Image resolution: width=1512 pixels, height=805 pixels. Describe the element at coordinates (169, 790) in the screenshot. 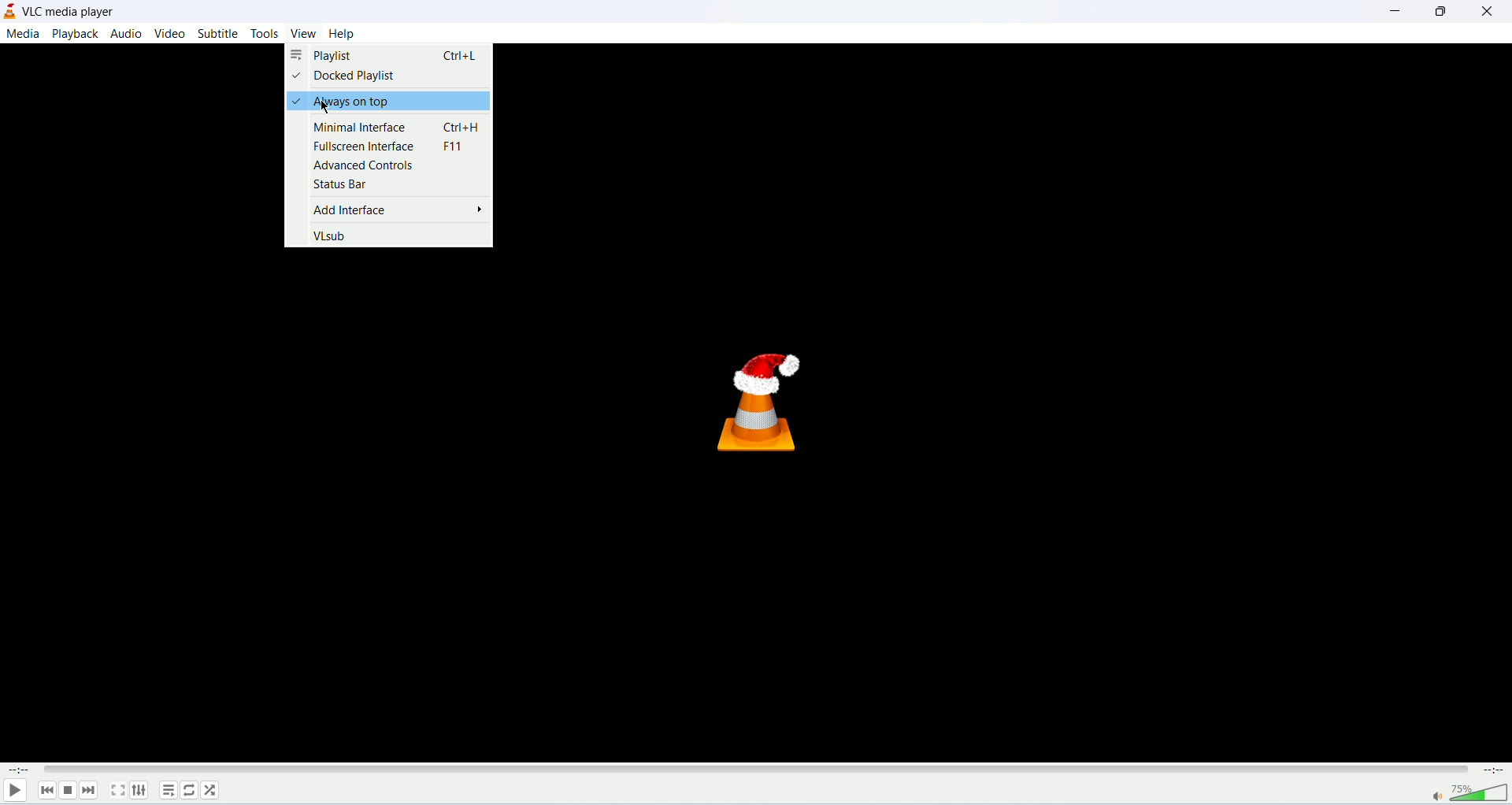

I see `toggle playlist` at that location.